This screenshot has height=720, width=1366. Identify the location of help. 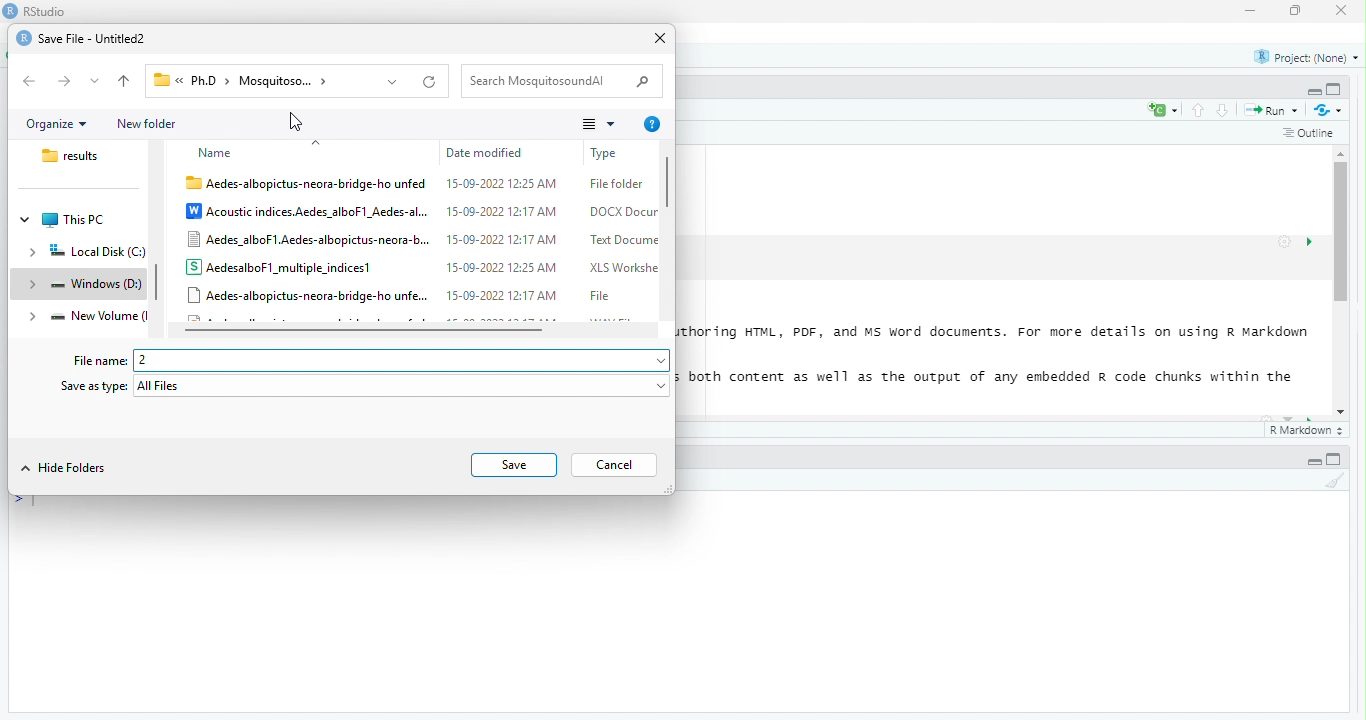
(654, 125).